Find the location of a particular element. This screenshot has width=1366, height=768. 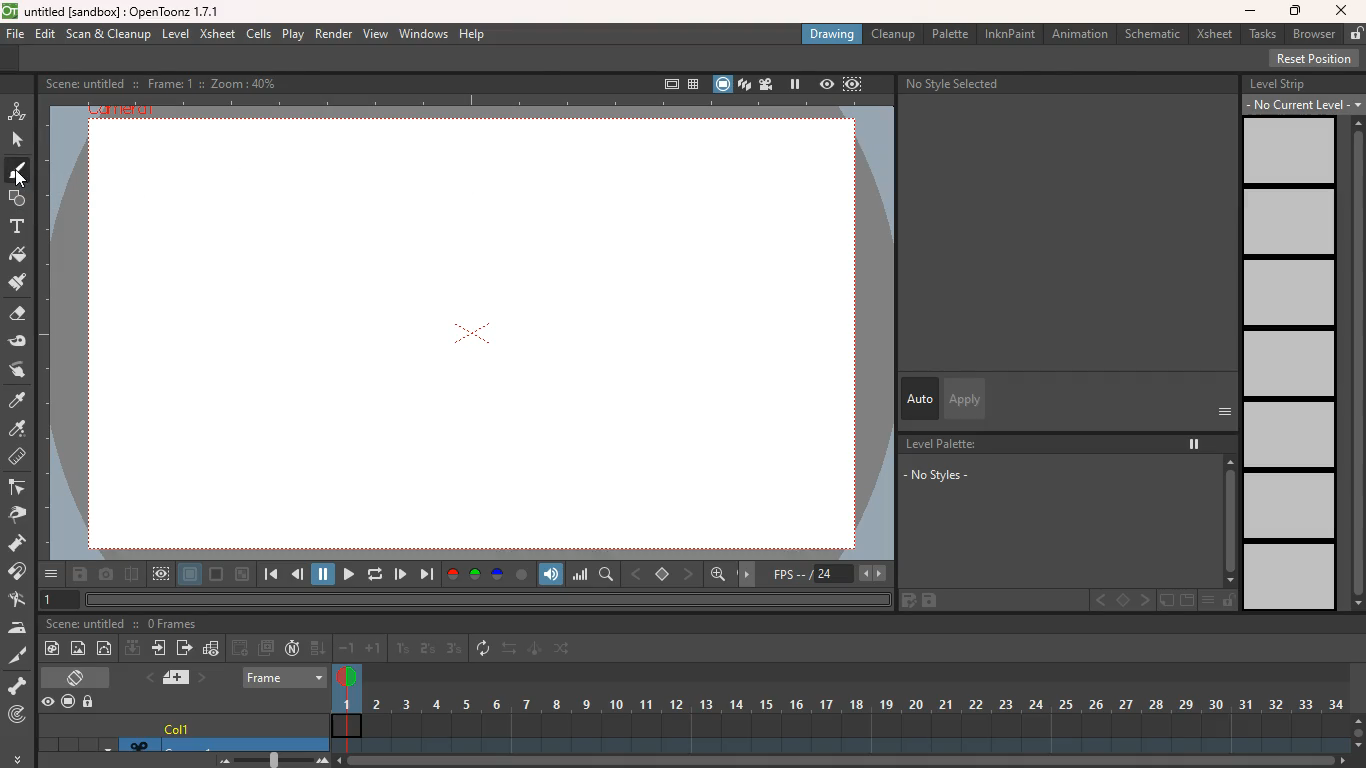

back is located at coordinates (241, 647).